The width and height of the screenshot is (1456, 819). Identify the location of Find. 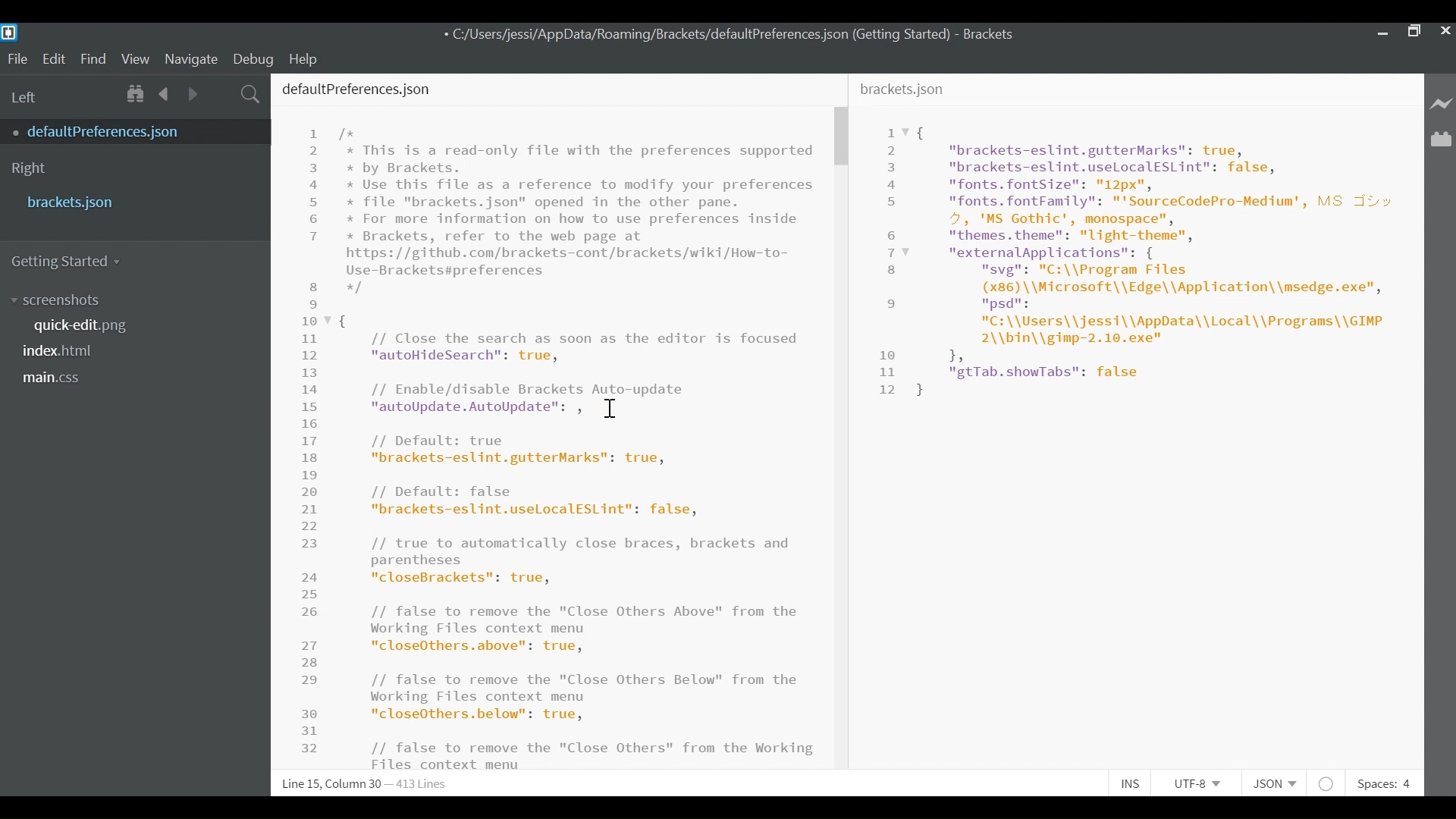
(93, 58).